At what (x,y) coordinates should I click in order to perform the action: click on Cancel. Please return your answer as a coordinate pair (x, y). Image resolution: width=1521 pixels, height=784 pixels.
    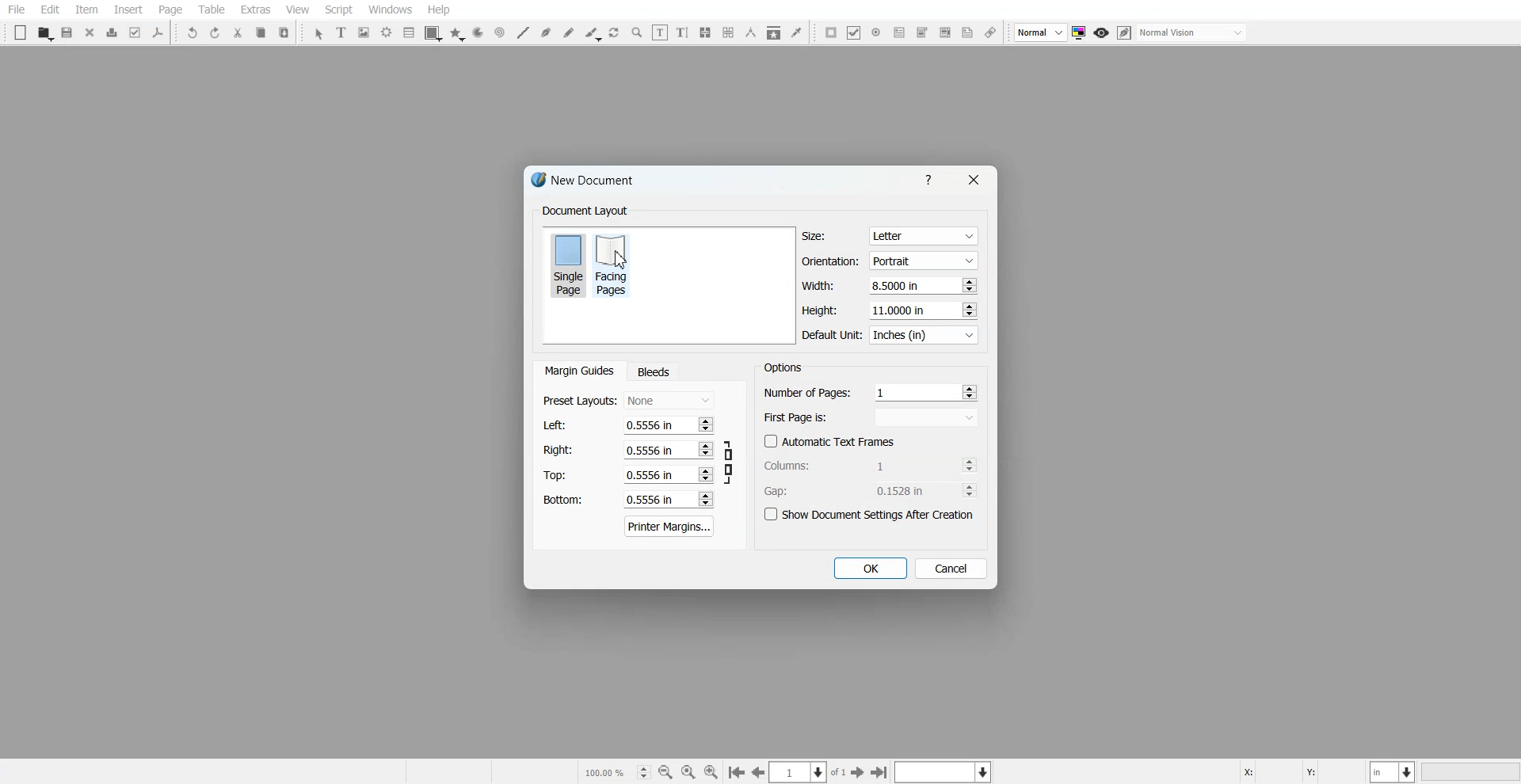
    Looking at the image, I should click on (951, 568).